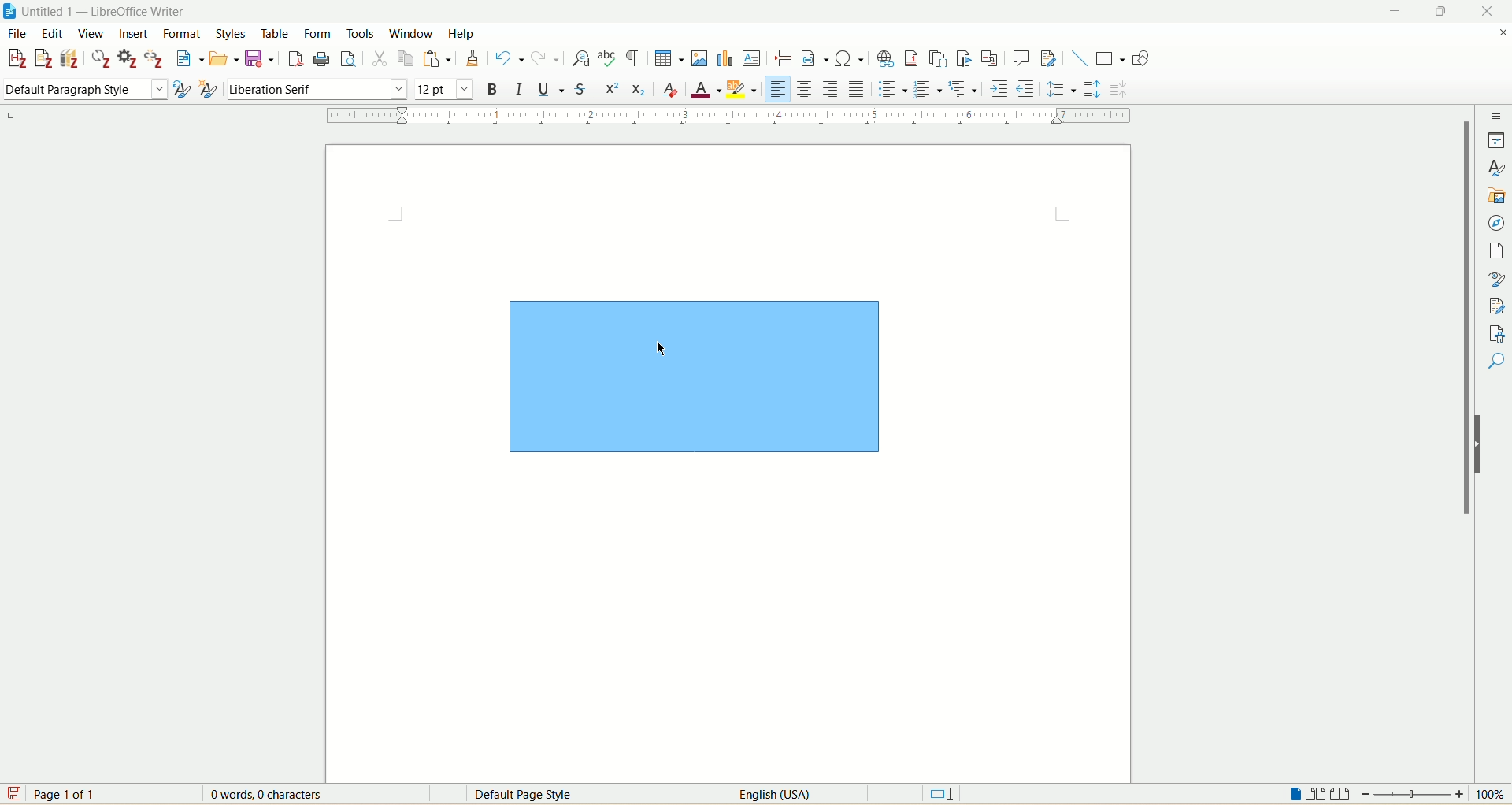 This screenshot has height=805, width=1512. I want to click on book view, so click(1343, 796).